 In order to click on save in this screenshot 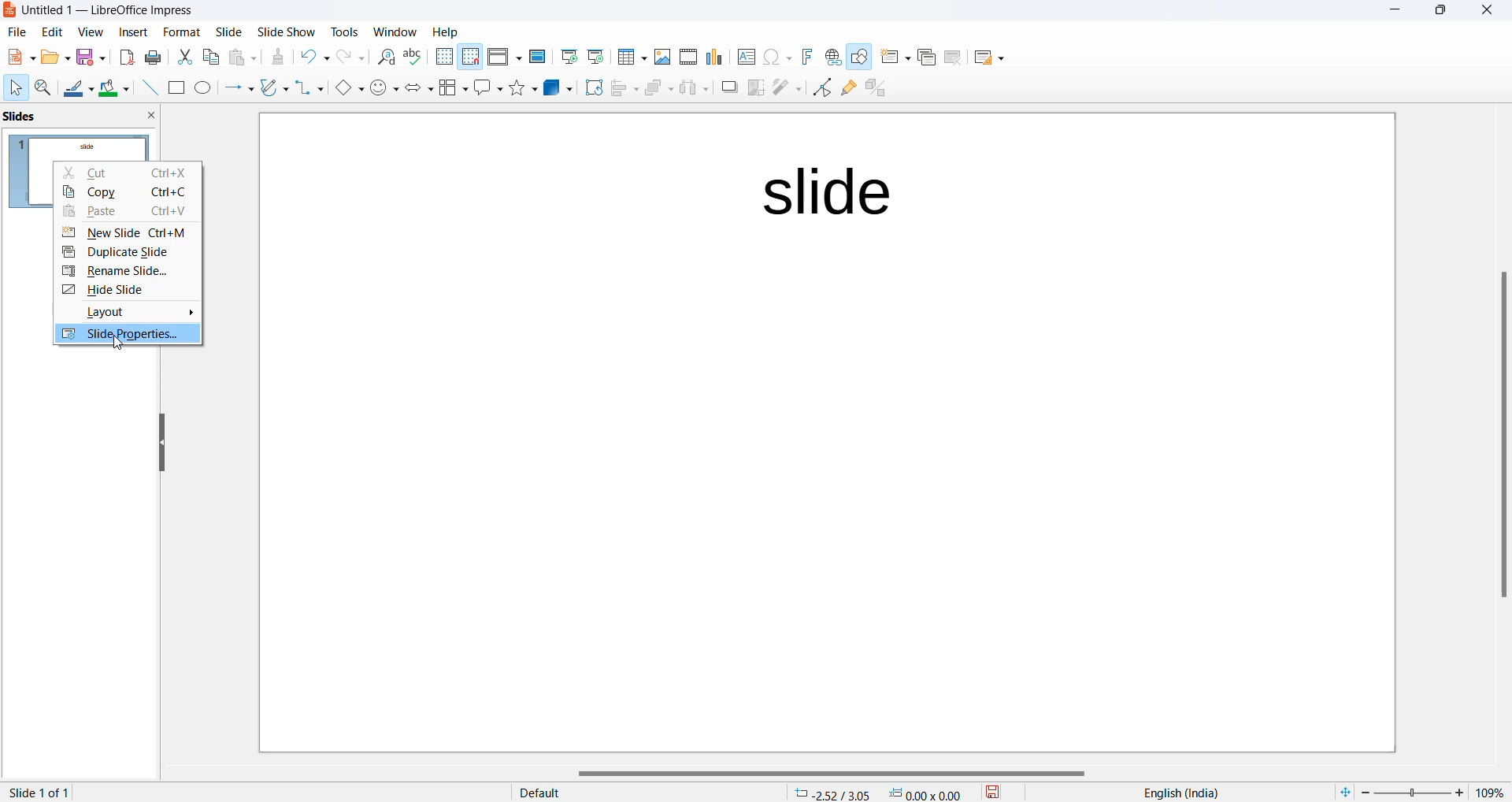, I will do `click(994, 791)`.